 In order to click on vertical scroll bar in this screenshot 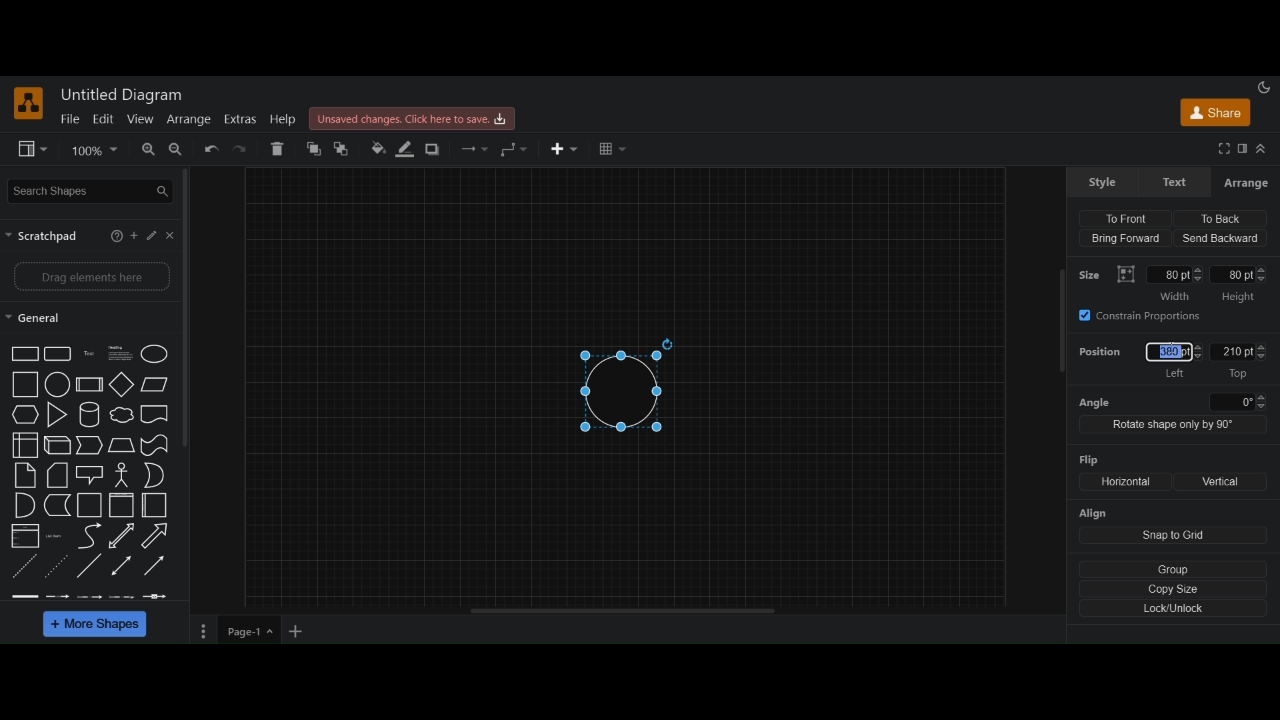, I will do `click(191, 307)`.